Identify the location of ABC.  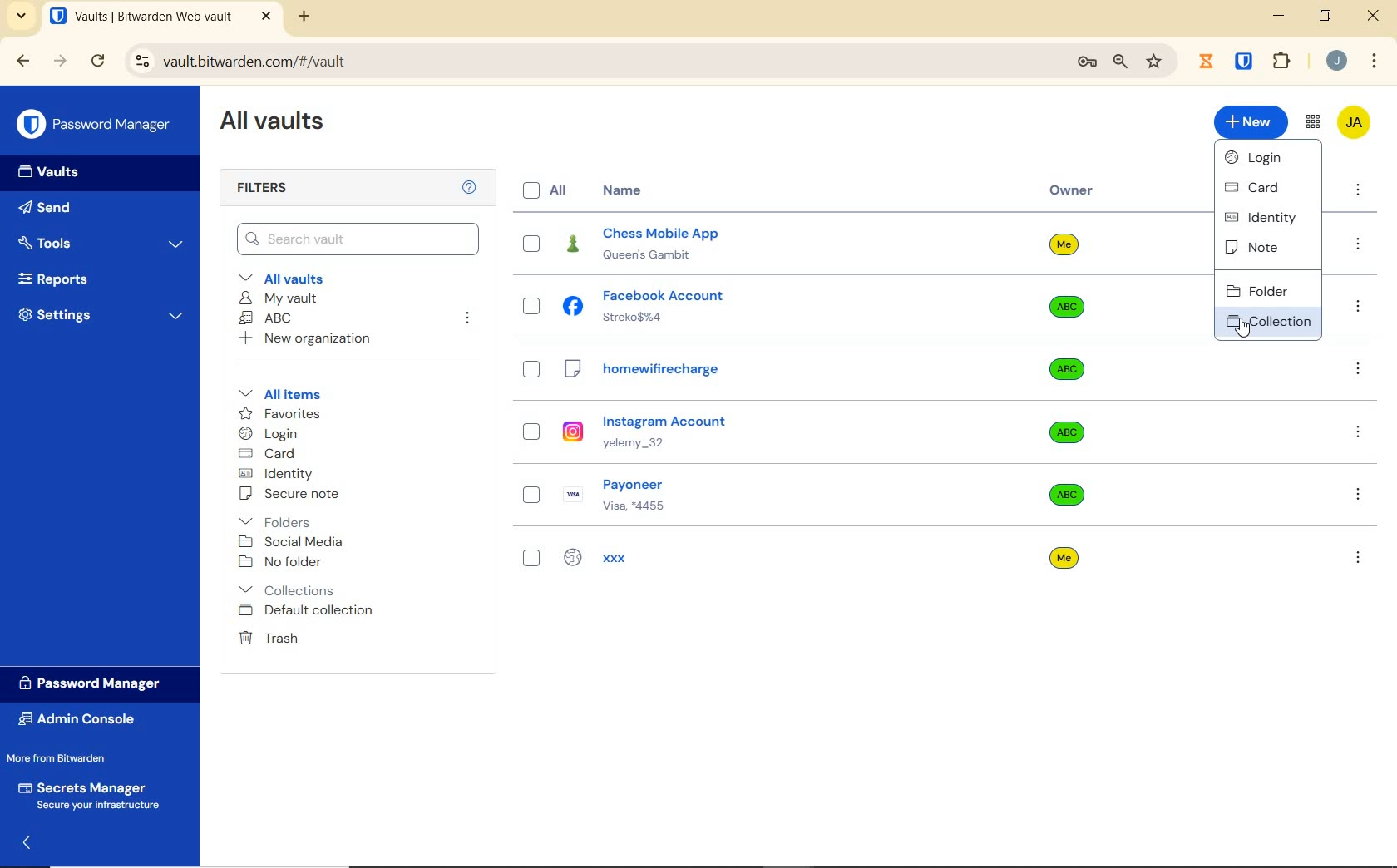
(269, 318).